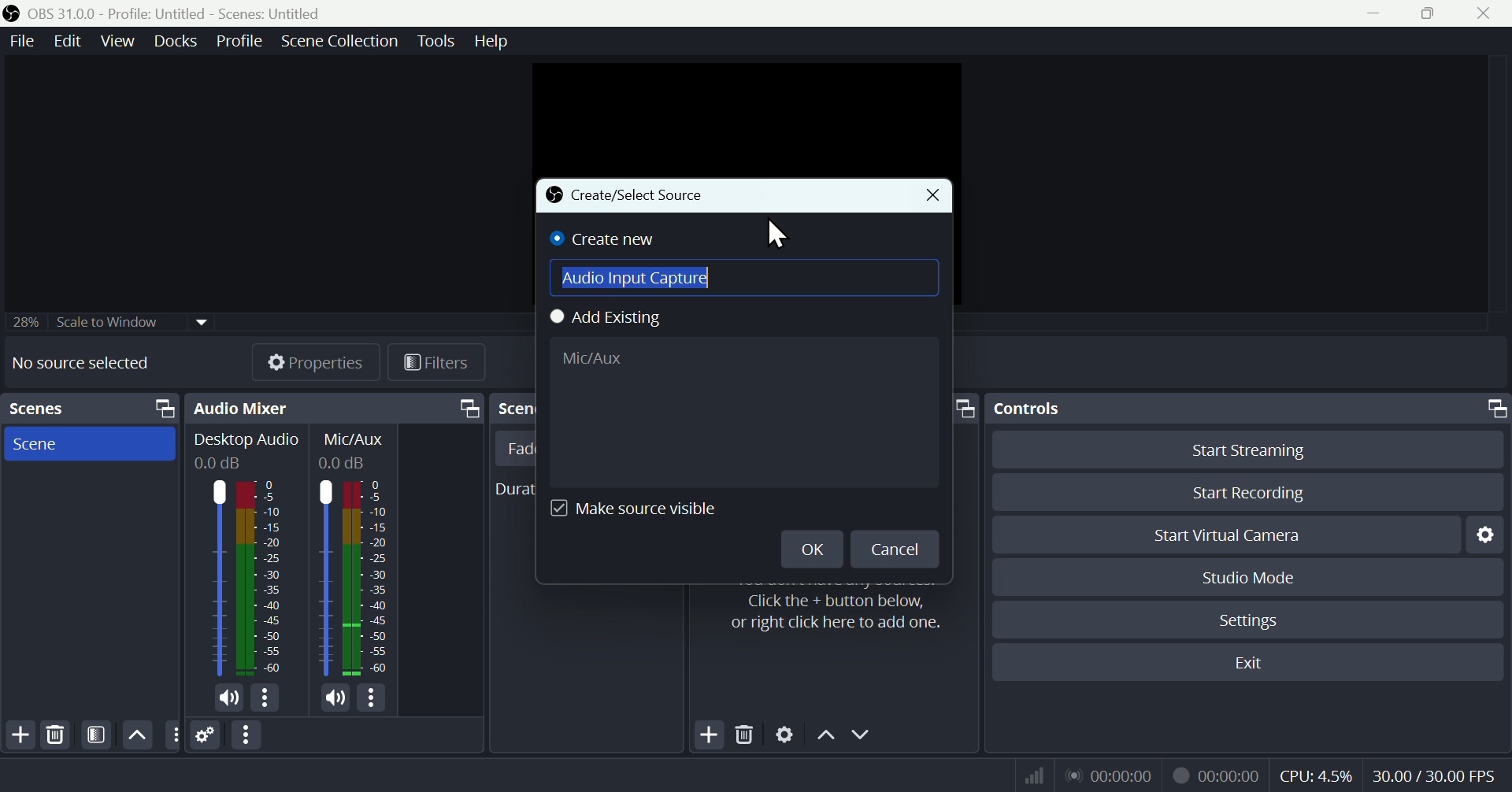 The width and height of the screenshot is (1512, 792). What do you see at coordinates (65, 41) in the screenshot?
I see `Edit` at bounding box center [65, 41].